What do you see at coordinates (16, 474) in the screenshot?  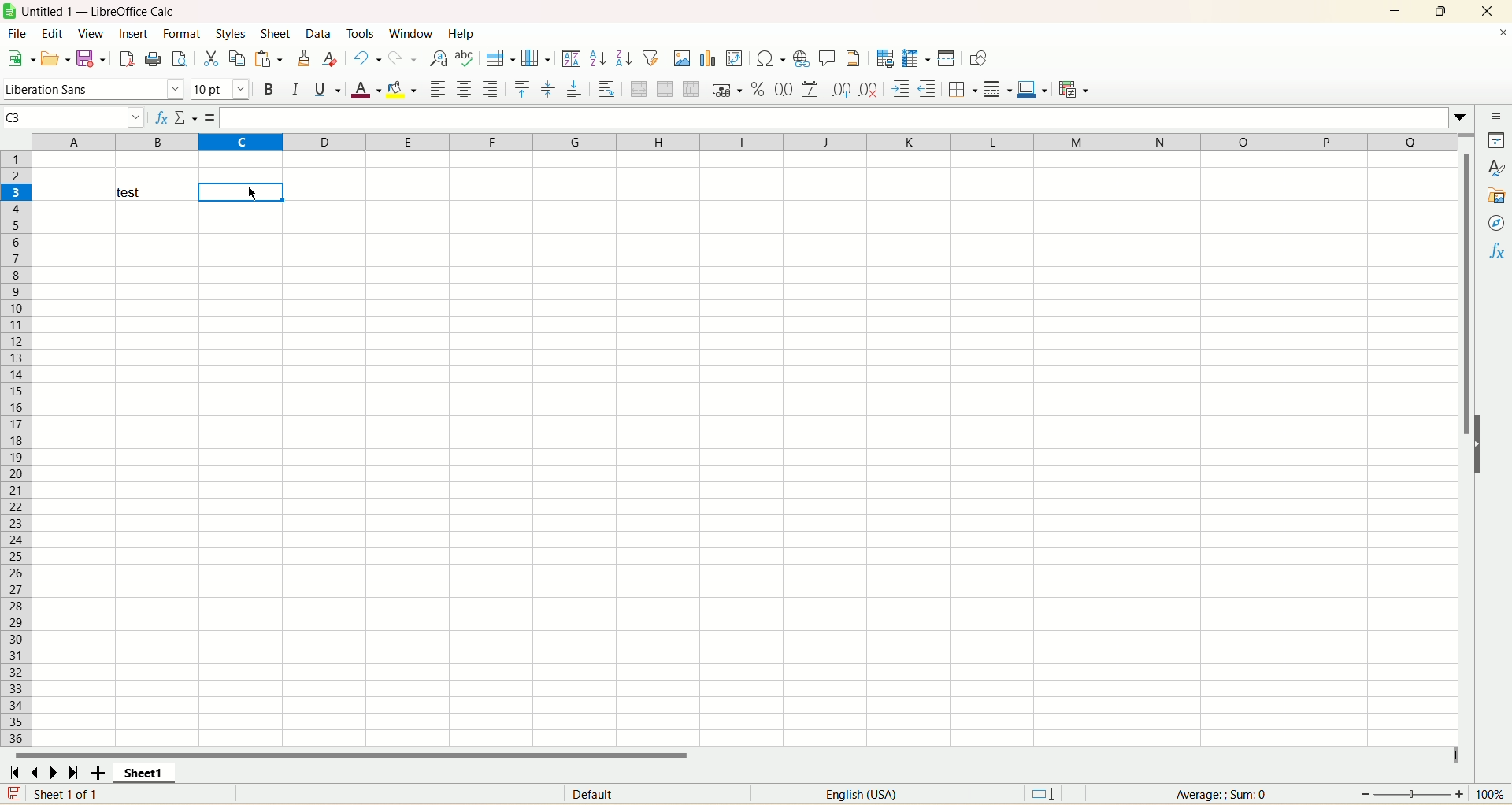 I see `row number` at bounding box center [16, 474].